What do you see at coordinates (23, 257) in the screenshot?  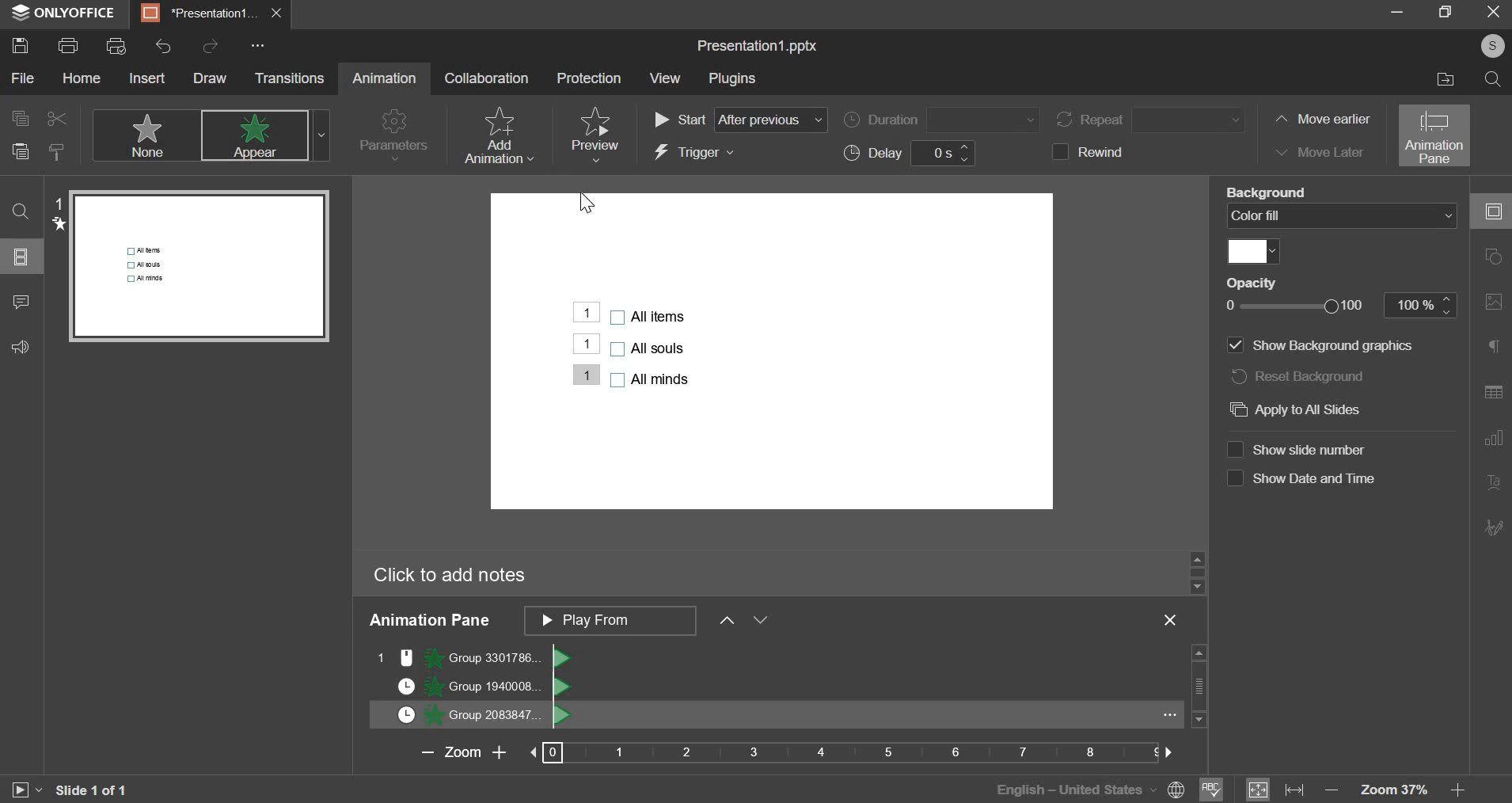 I see `slide` at bounding box center [23, 257].